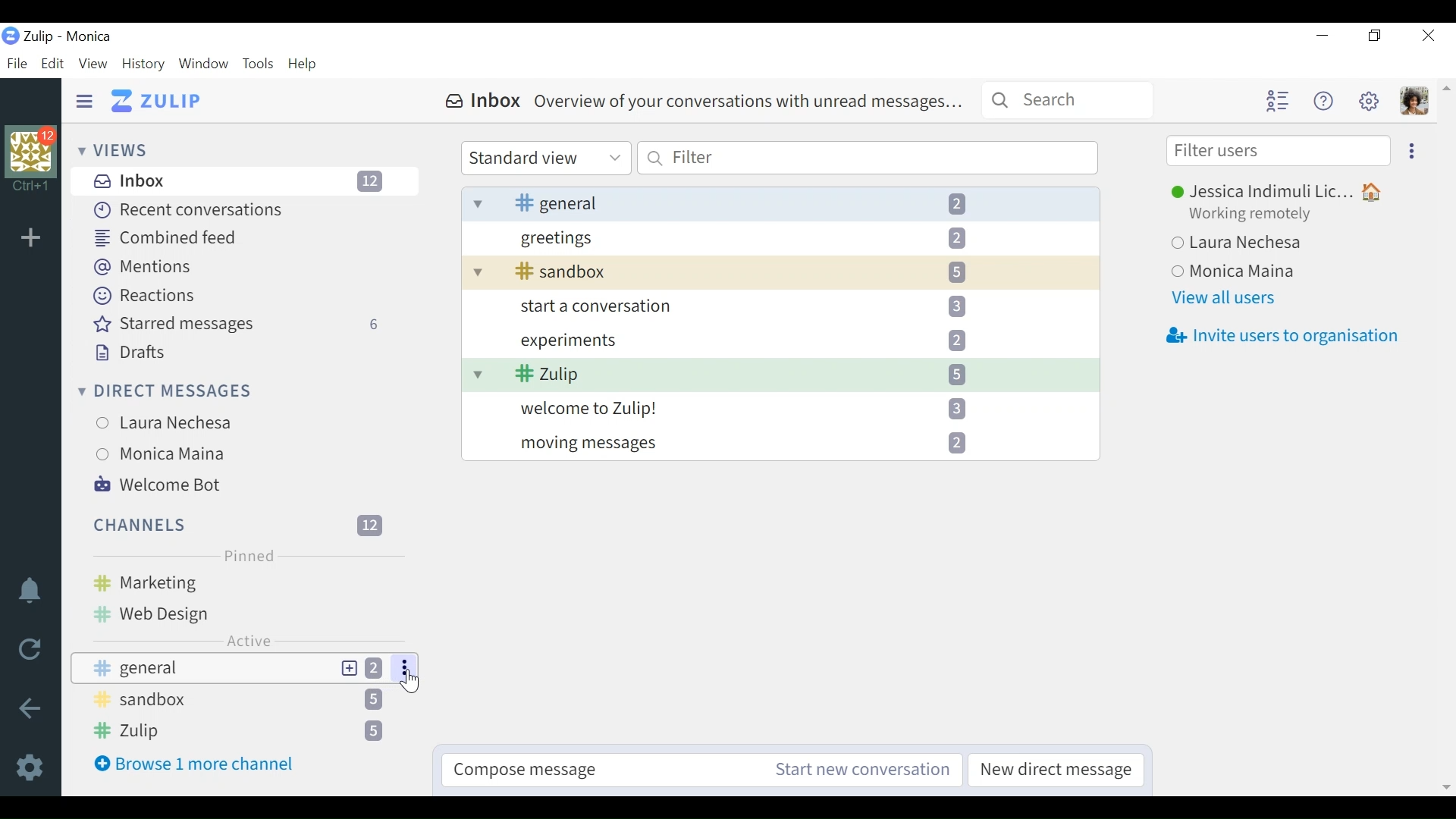  What do you see at coordinates (31, 188) in the screenshot?
I see `Ctrl + 1` at bounding box center [31, 188].